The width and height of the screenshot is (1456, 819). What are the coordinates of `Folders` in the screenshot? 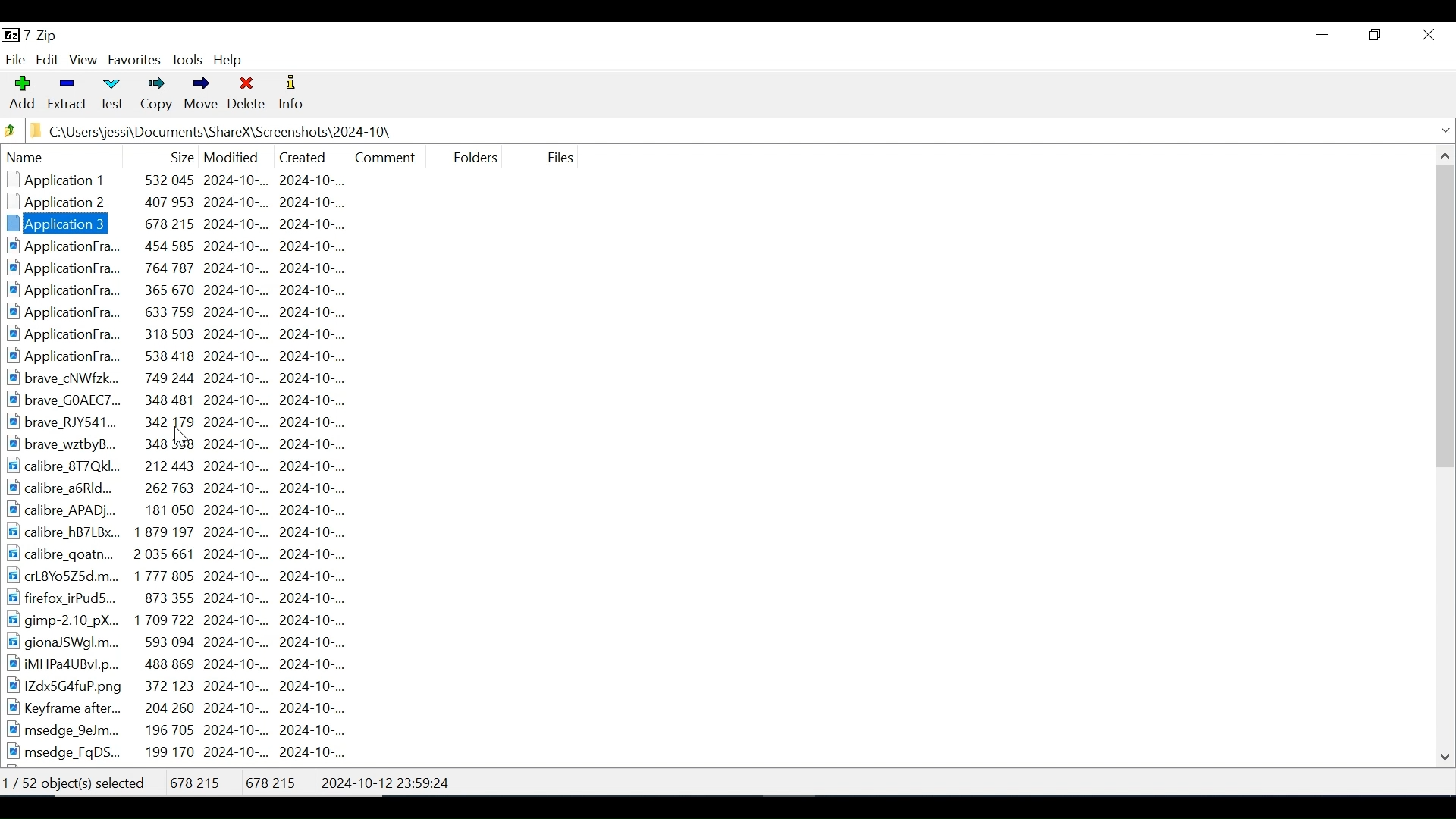 It's located at (471, 155).